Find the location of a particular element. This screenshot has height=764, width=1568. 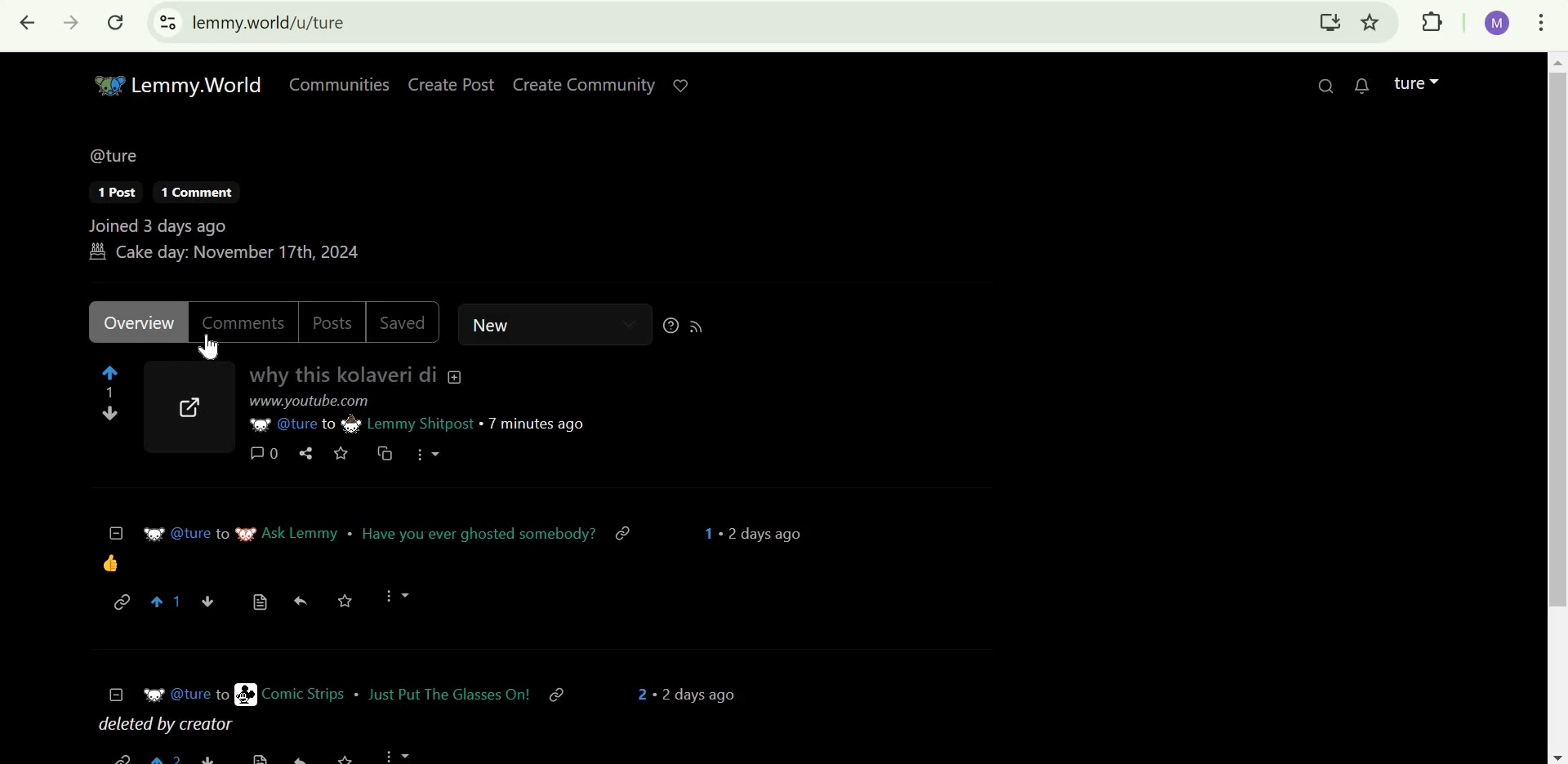

link is located at coordinates (122, 601).